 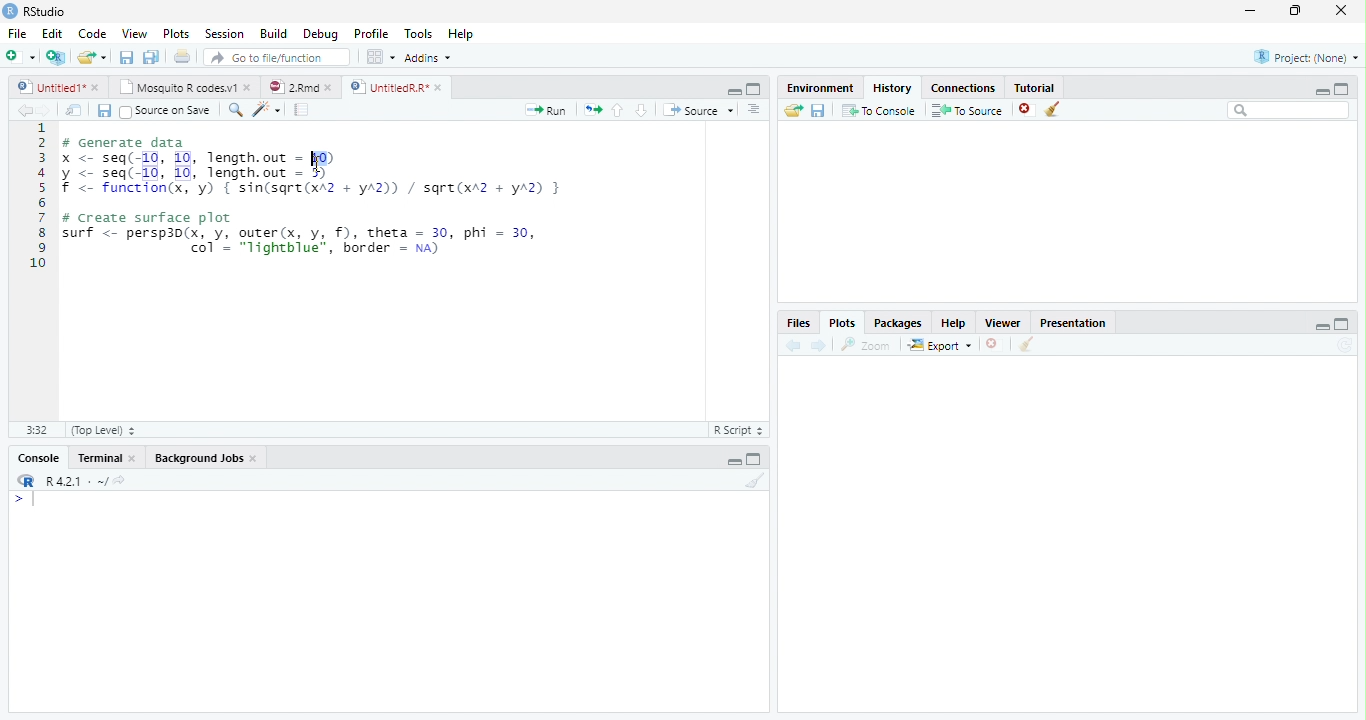 I want to click on Minimize, so click(x=732, y=91).